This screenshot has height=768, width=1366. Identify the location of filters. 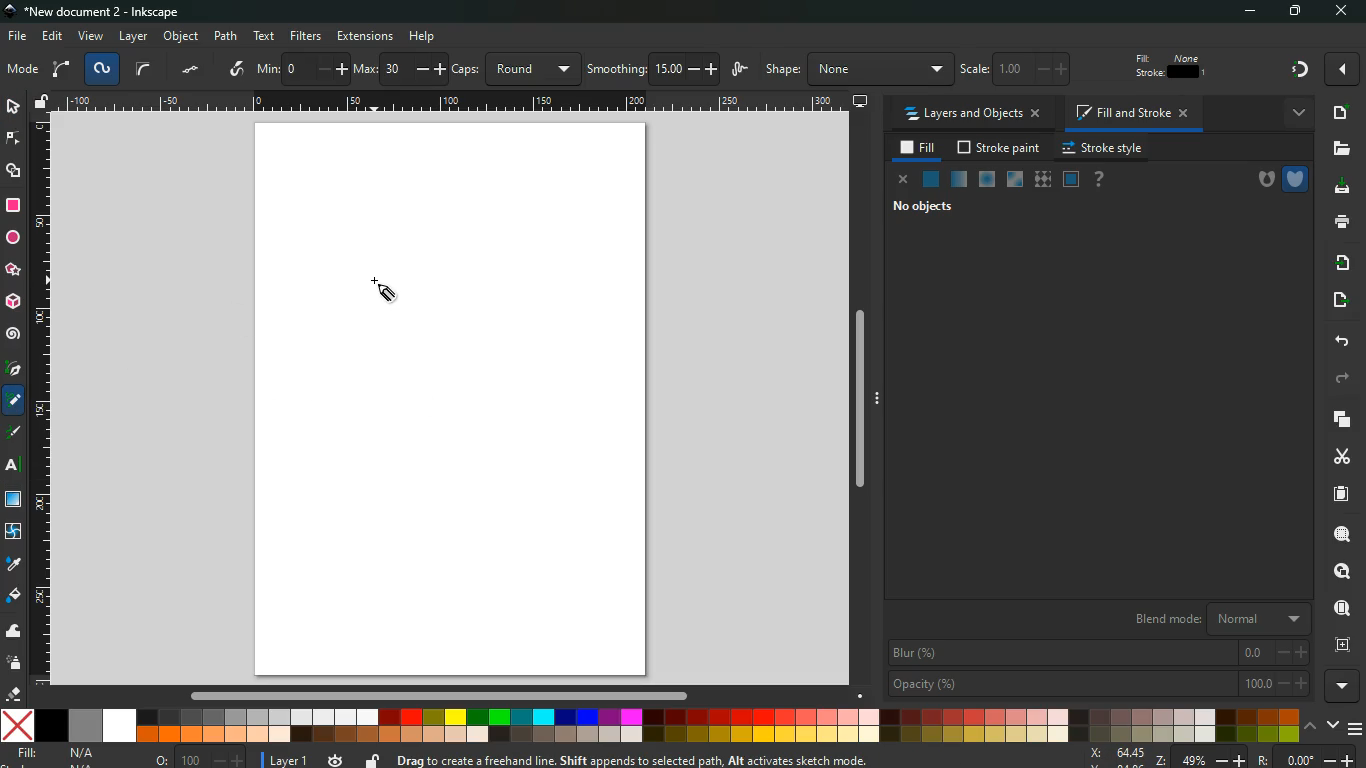
(305, 36).